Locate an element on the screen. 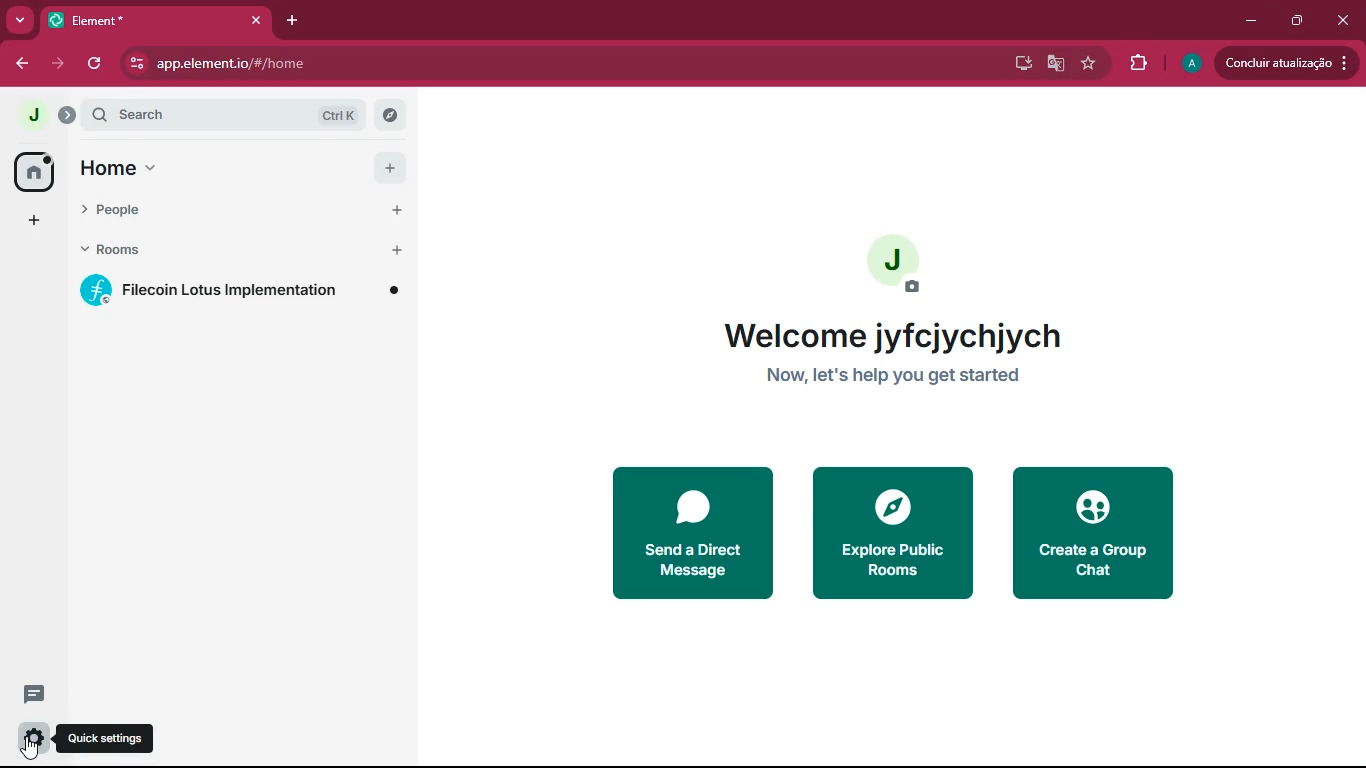 This screenshot has height=768, width=1366. settings  is located at coordinates (29, 741).